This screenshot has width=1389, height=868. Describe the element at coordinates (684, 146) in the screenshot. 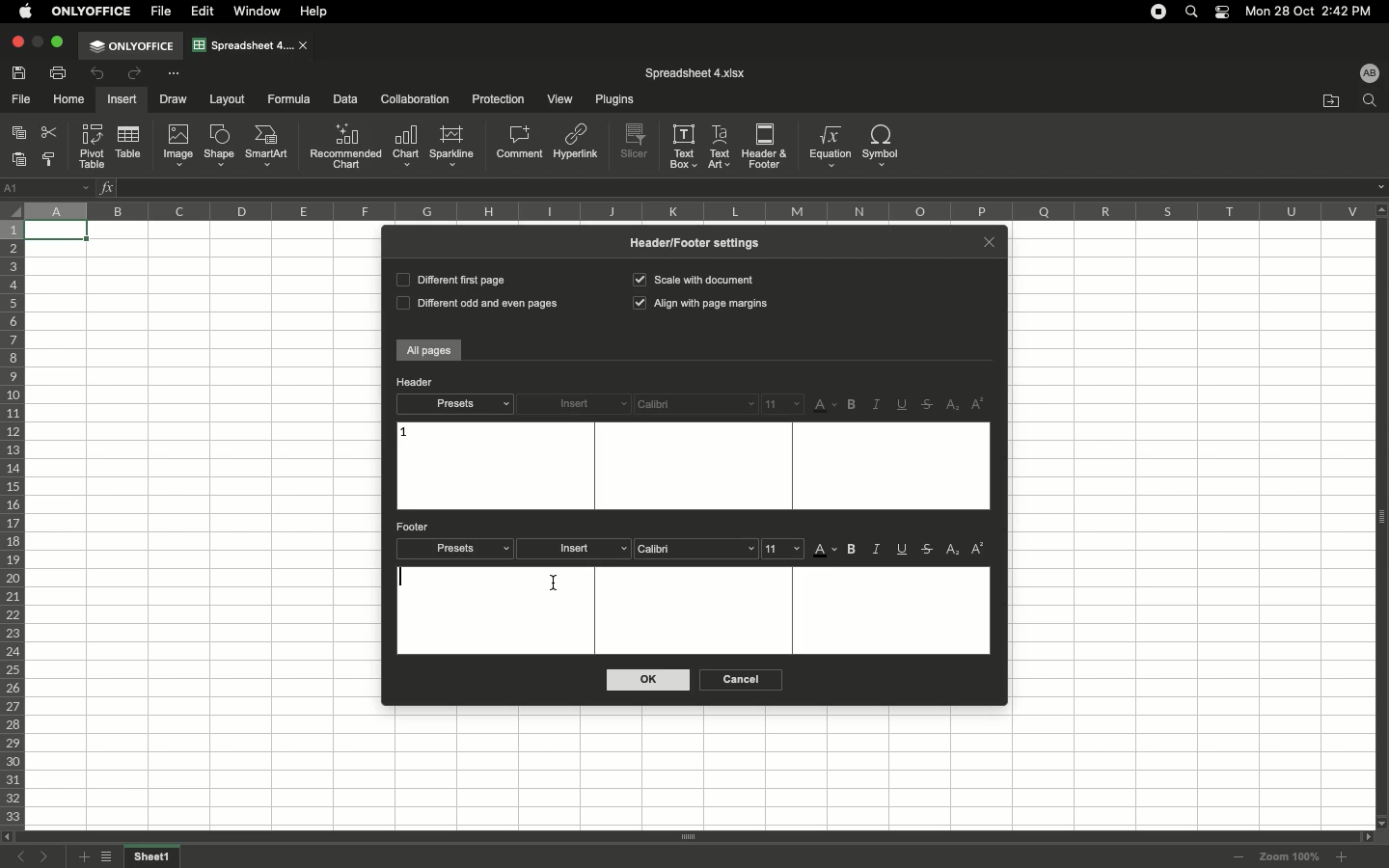

I see `Text box` at that location.